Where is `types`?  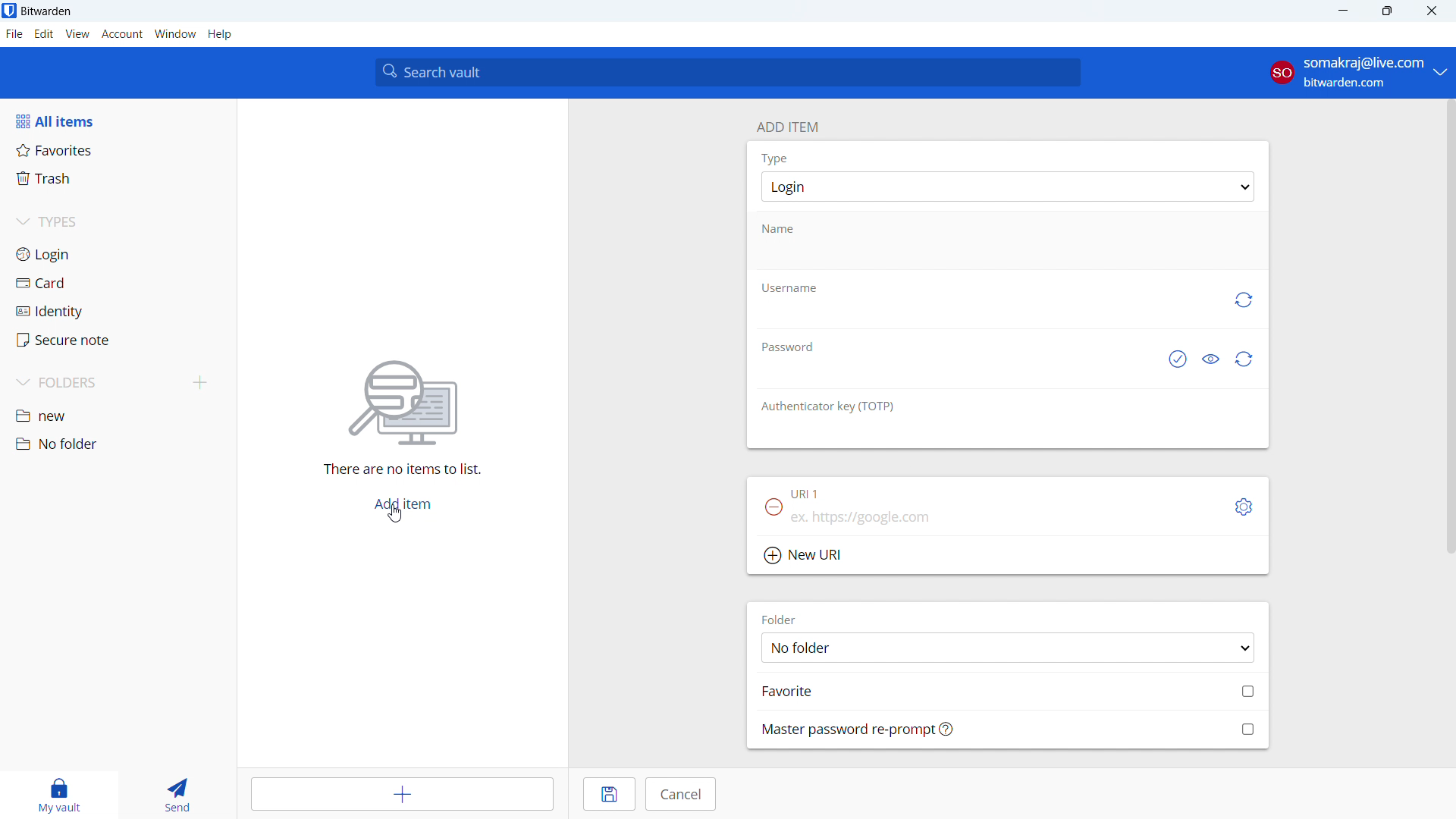 types is located at coordinates (117, 224).